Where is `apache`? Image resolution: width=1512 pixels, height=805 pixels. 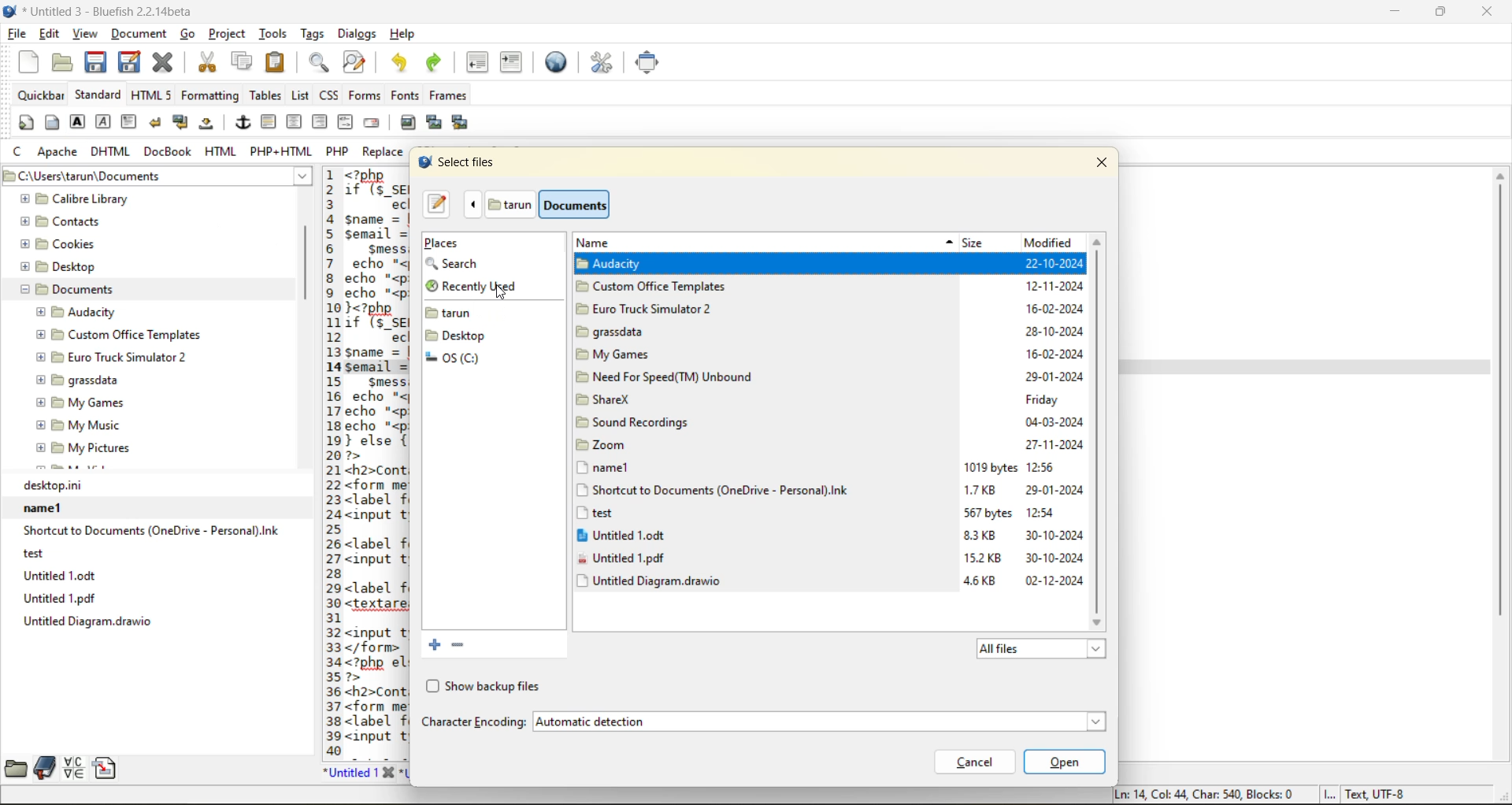
apache is located at coordinates (59, 153).